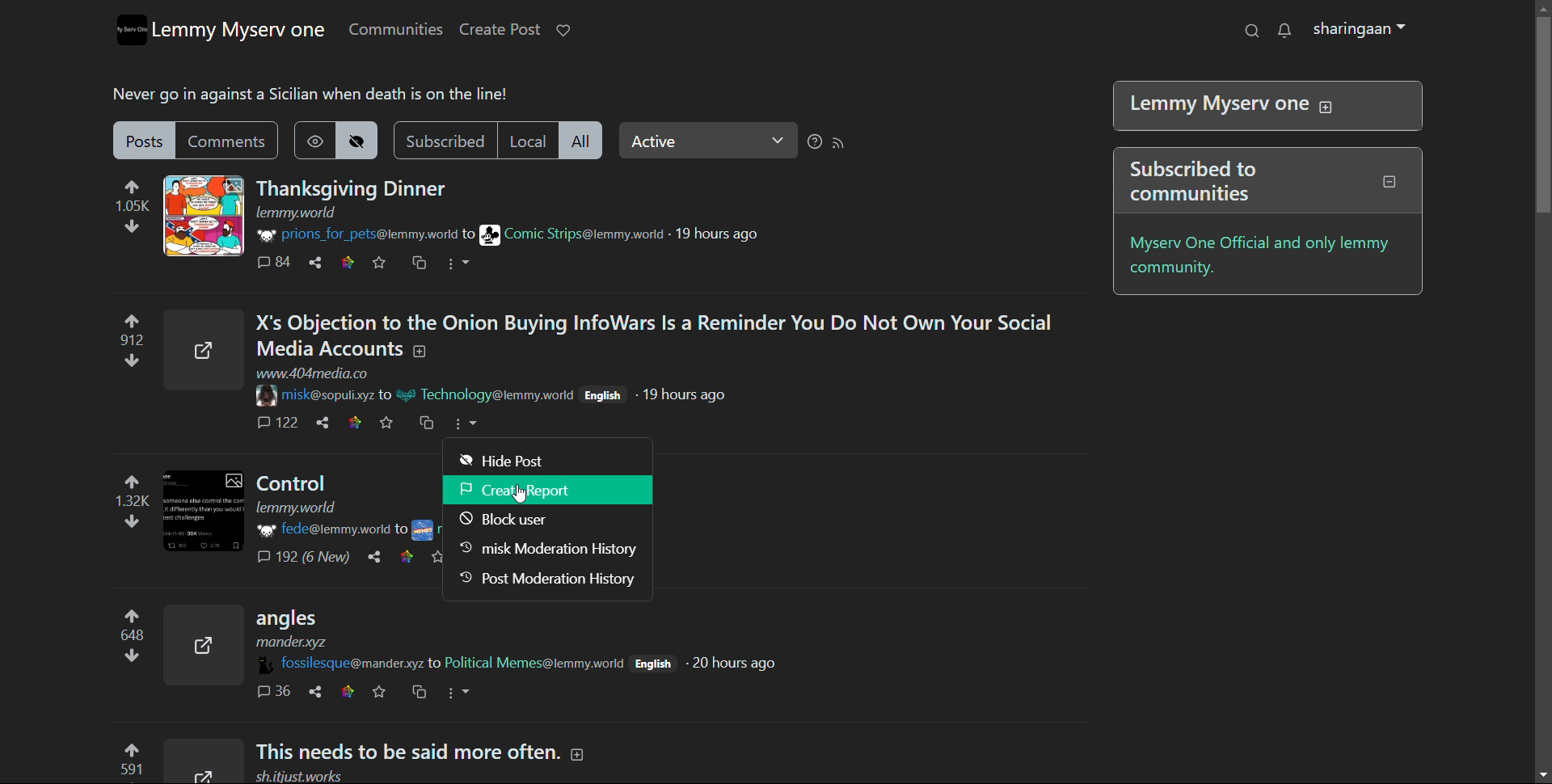 This screenshot has width=1552, height=784. What do you see at coordinates (120, 344) in the screenshot?
I see `Upvote and downvote` at bounding box center [120, 344].